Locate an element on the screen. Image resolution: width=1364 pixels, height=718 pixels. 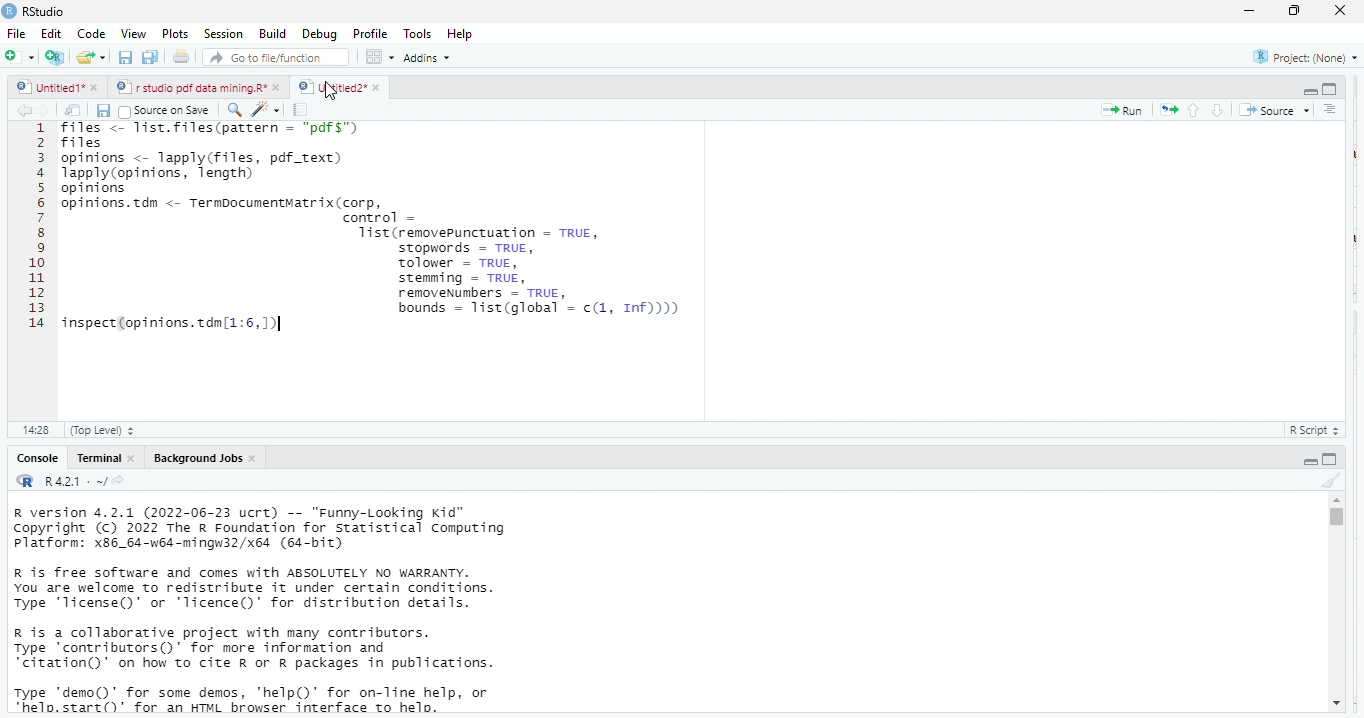
untitled1 is located at coordinates (48, 88).